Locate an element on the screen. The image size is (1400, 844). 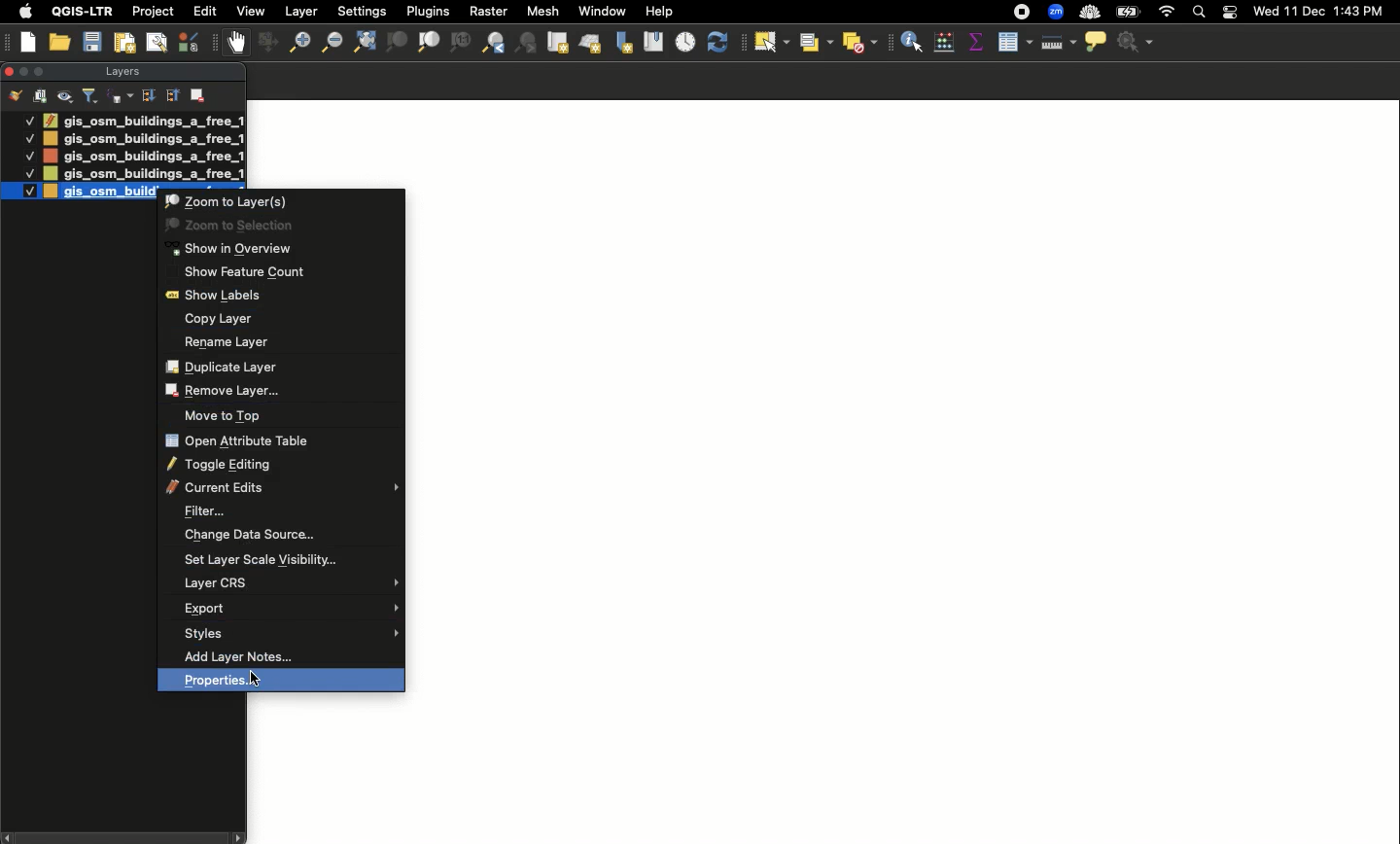
Zoom in selection is located at coordinates (278, 225).